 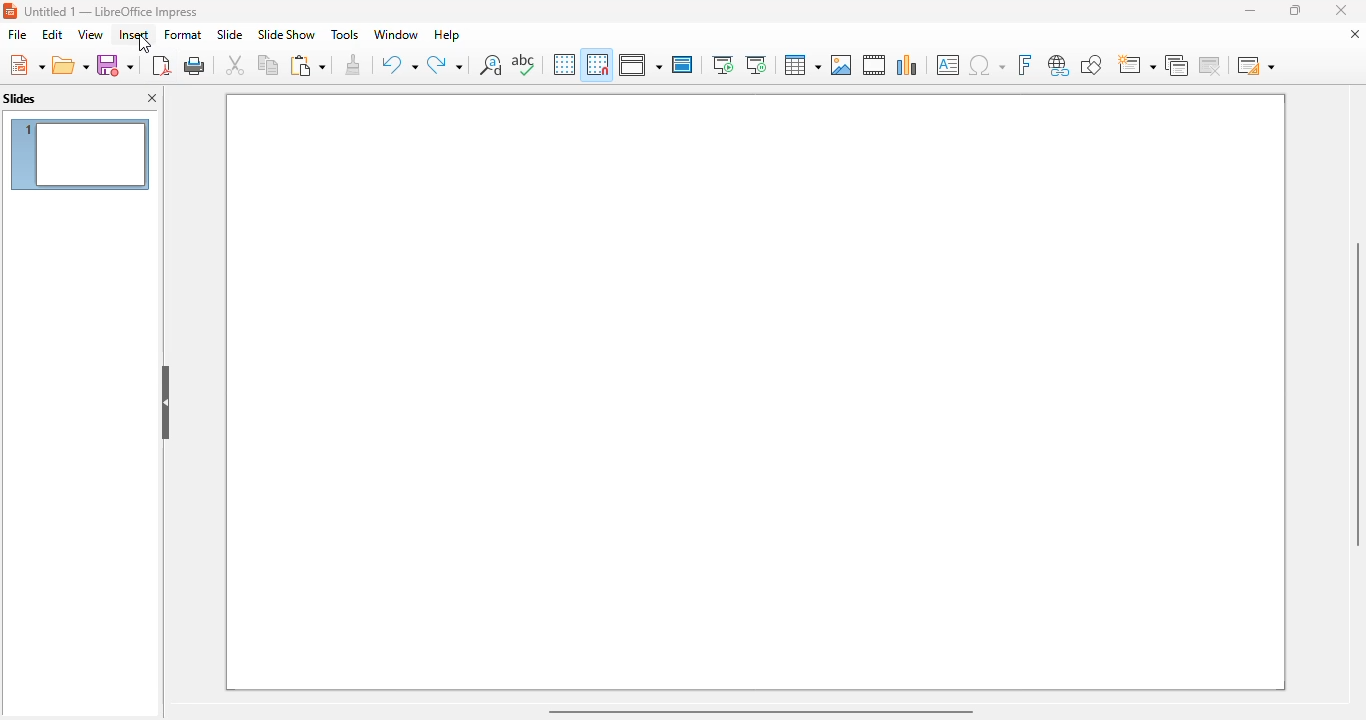 What do you see at coordinates (80, 154) in the screenshot?
I see `slide 1` at bounding box center [80, 154].